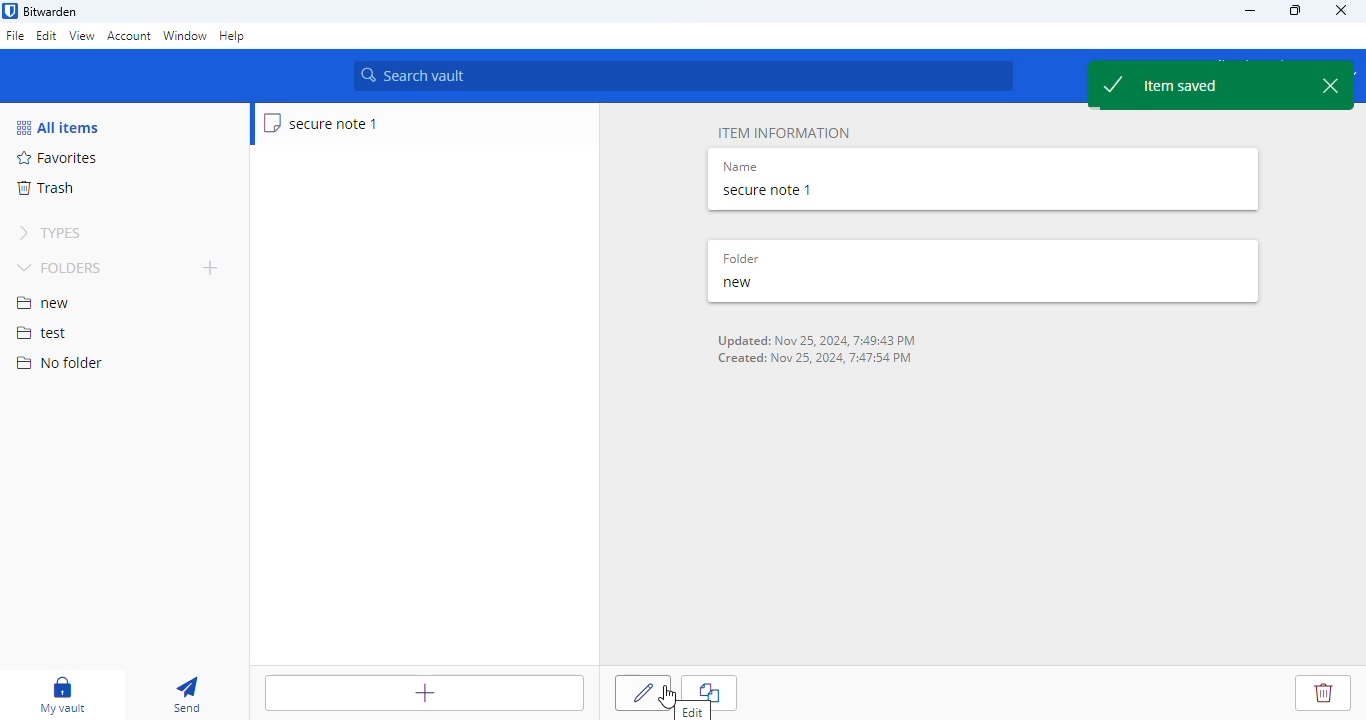 This screenshot has height=720, width=1366. Describe the element at coordinates (185, 37) in the screenshot. I see `window` at that location.